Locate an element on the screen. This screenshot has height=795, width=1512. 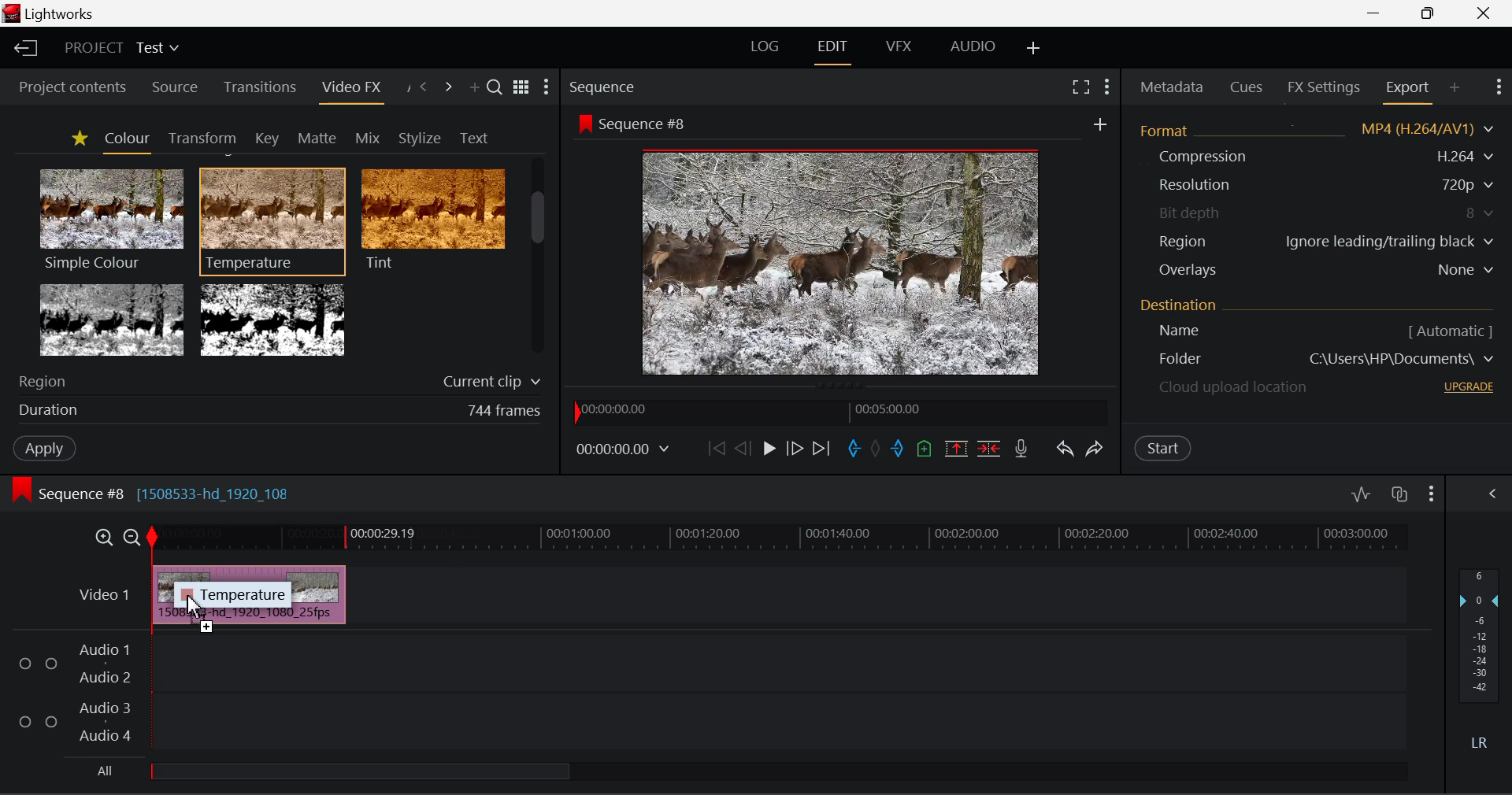
MOUSE_UP Cursor Position is located at coordinates (199, 604).